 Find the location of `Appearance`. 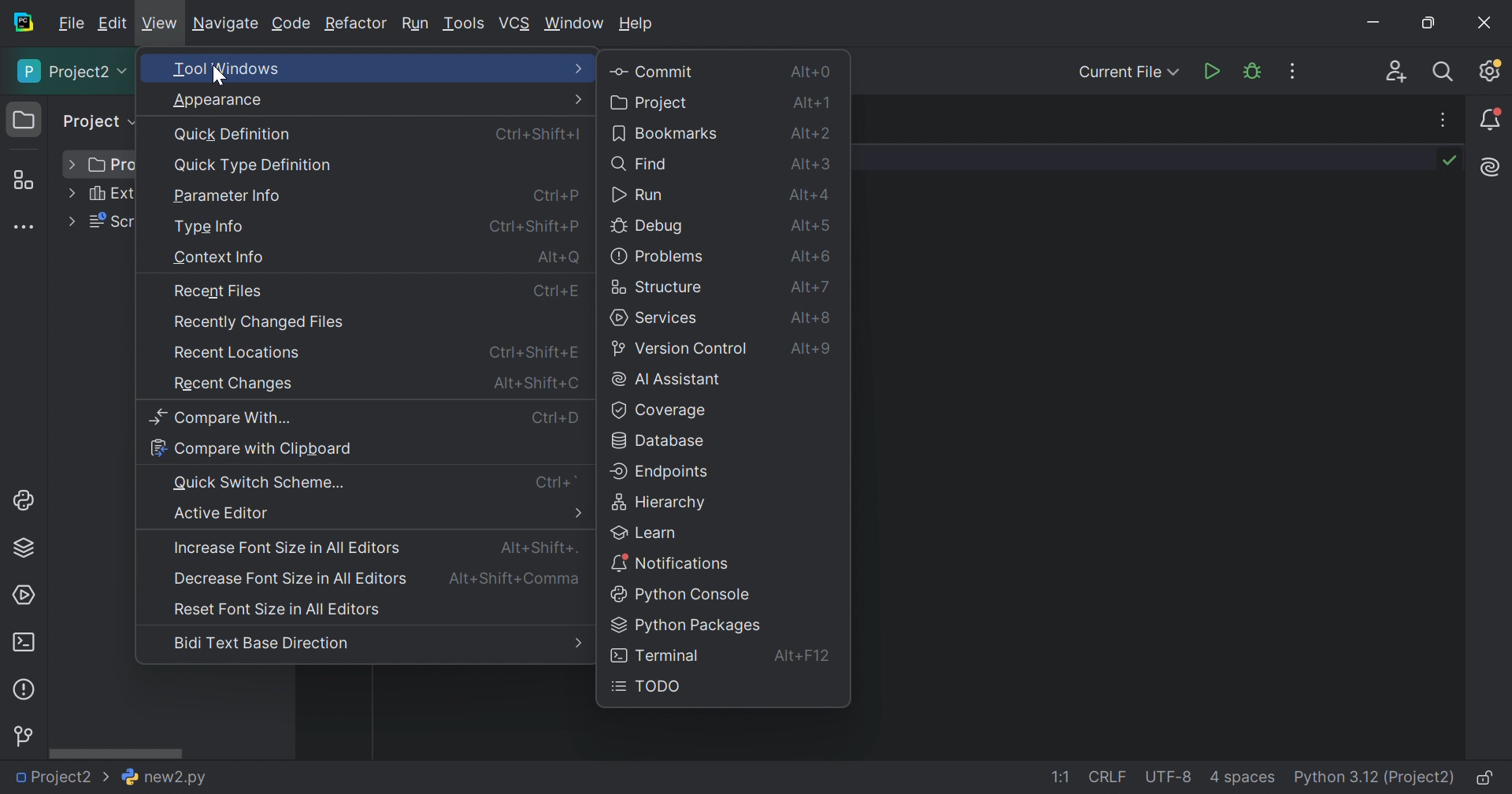

Appearance is located at coordinates (218, 100).